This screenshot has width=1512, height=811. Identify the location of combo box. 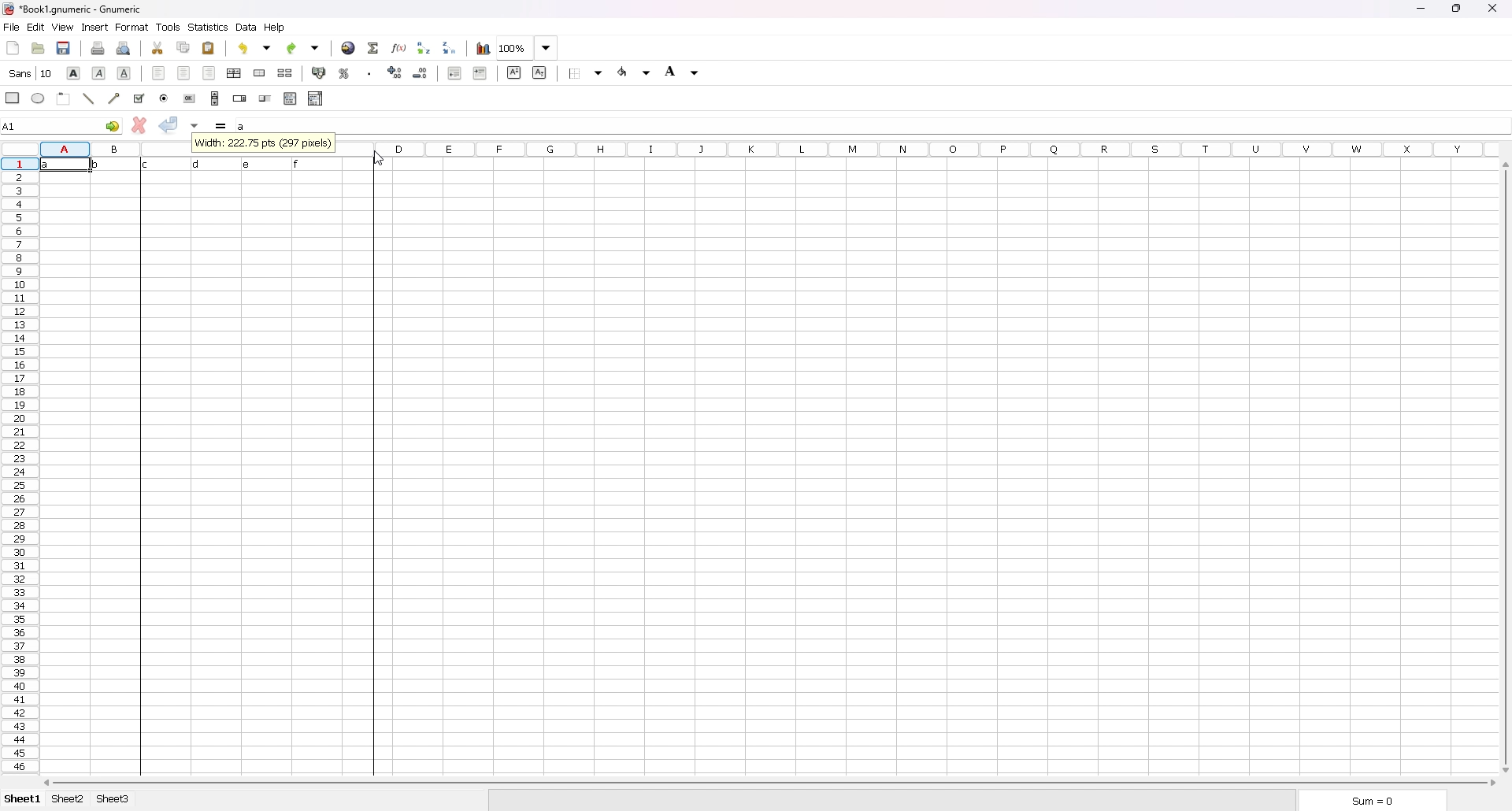
(316, 98).